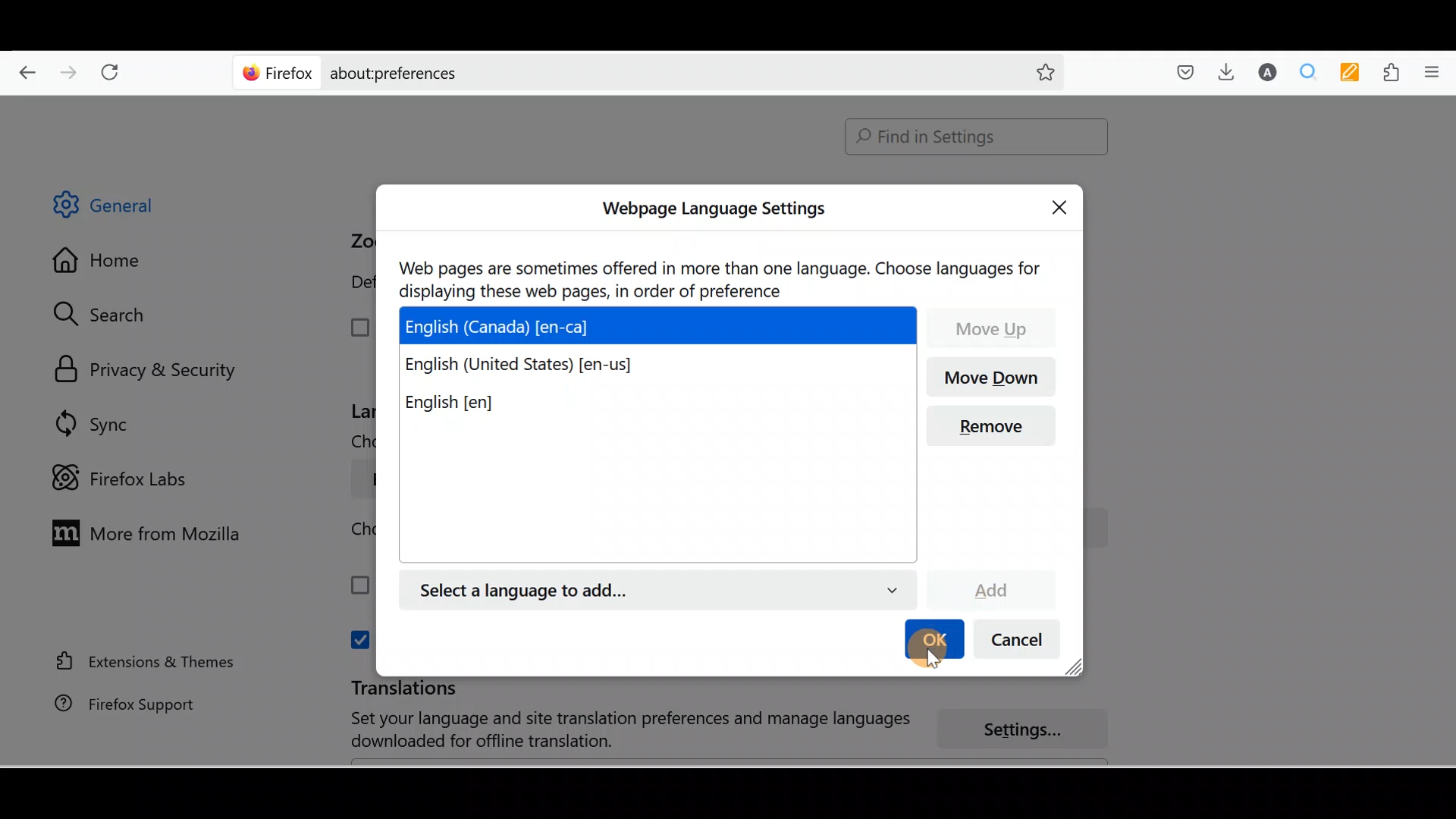 Image resolution: width=1456 pixels, height=819 pixels. Describe the element at coordinates (278, 72) in the screenshot. I see `Firefox` at that location.